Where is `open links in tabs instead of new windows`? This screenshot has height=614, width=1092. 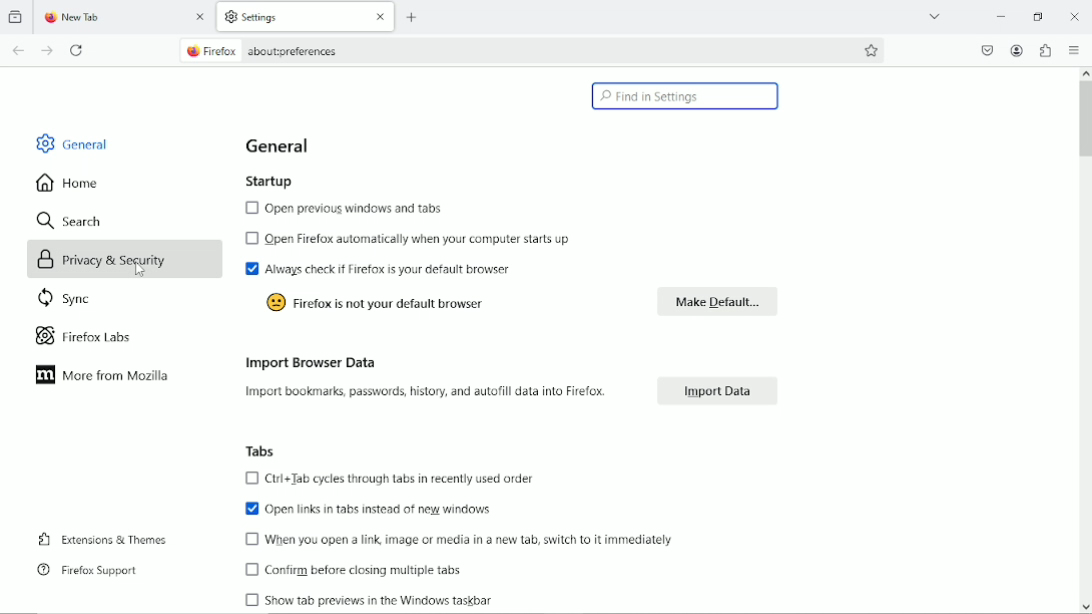 open links in tabs instead of new windows is located at coordinates (386, 510).